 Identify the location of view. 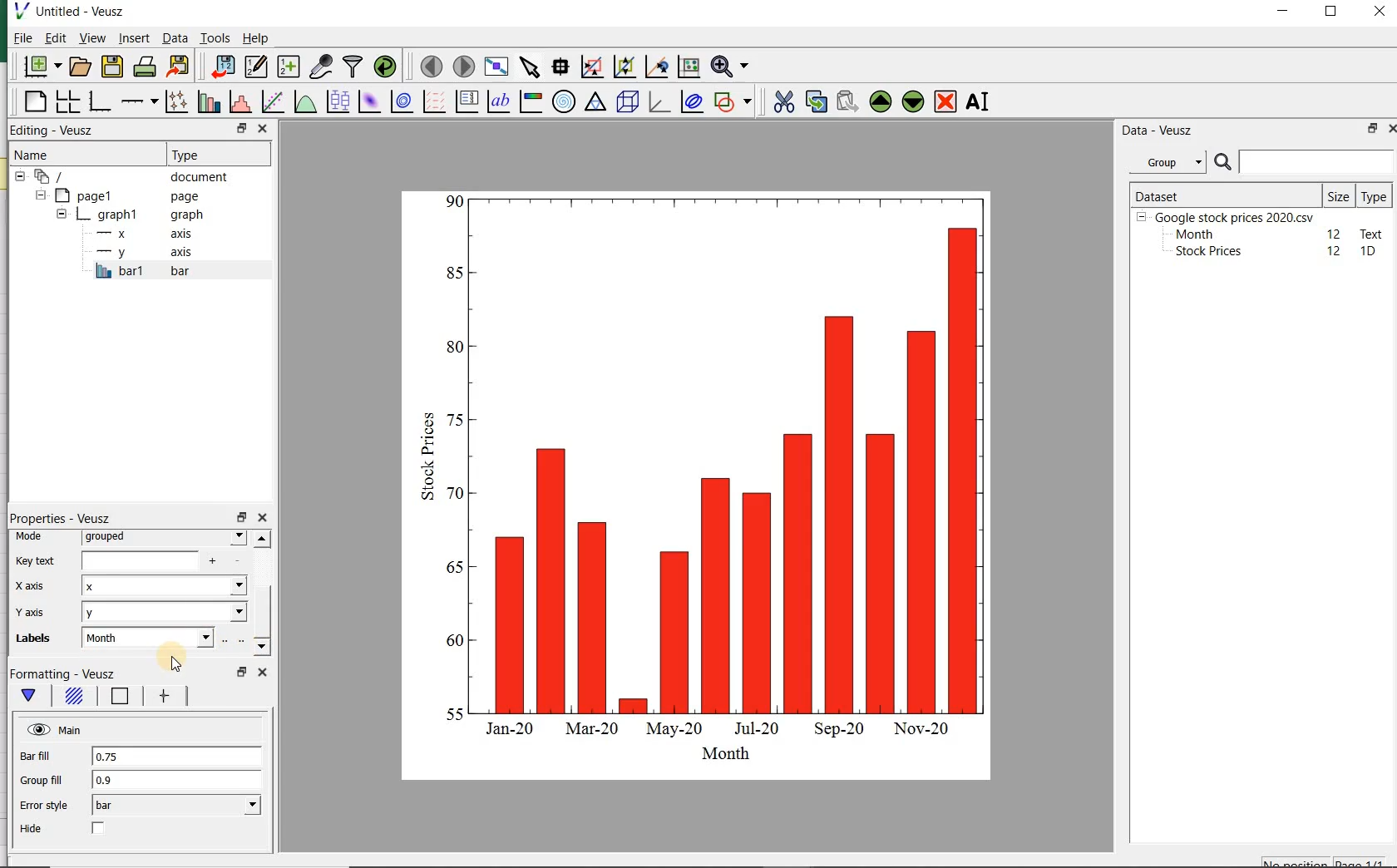
(92, 39).